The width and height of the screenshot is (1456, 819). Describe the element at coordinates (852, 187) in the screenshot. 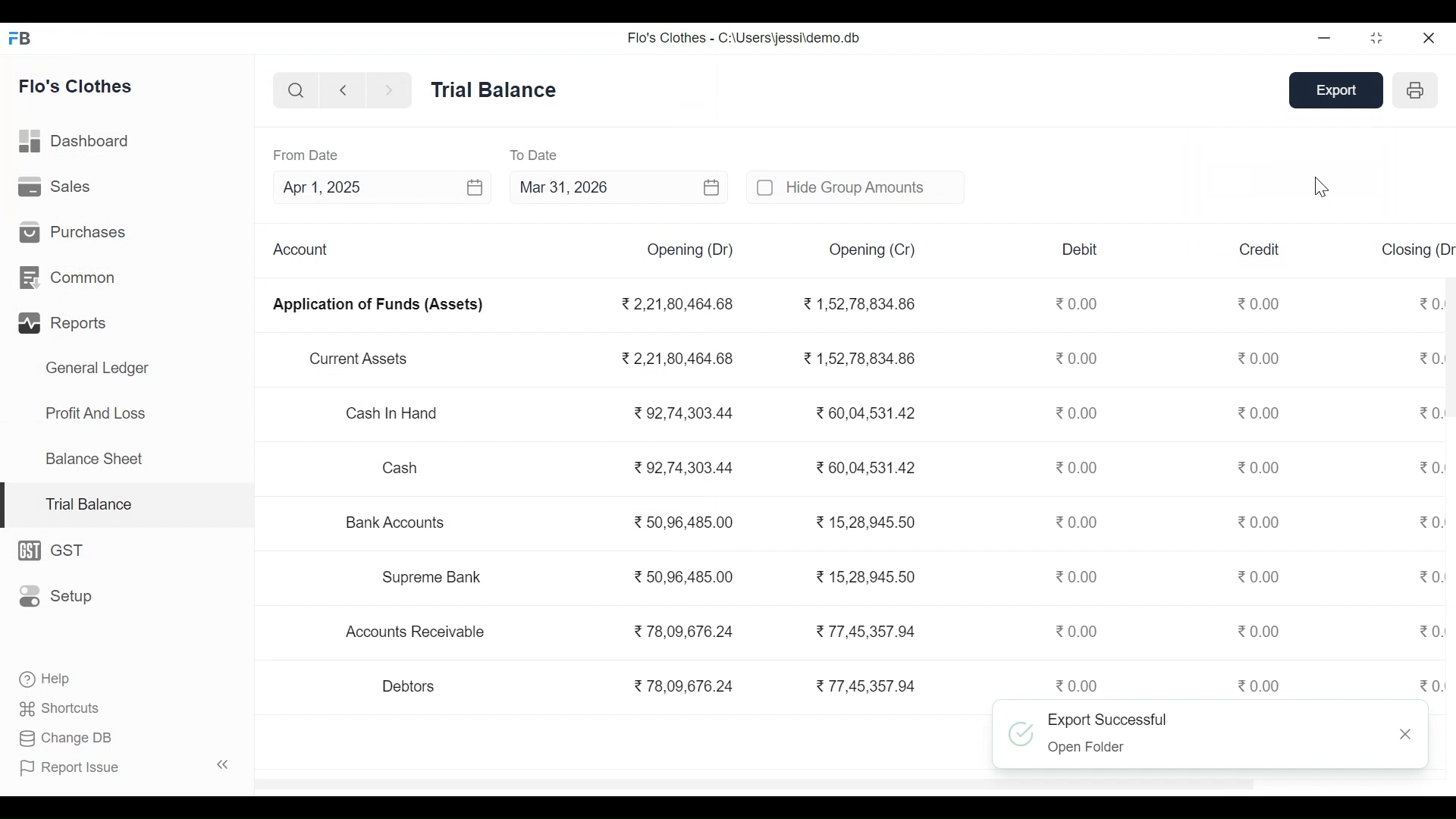

I see `unchecked Hide Group Amounts` at that location.